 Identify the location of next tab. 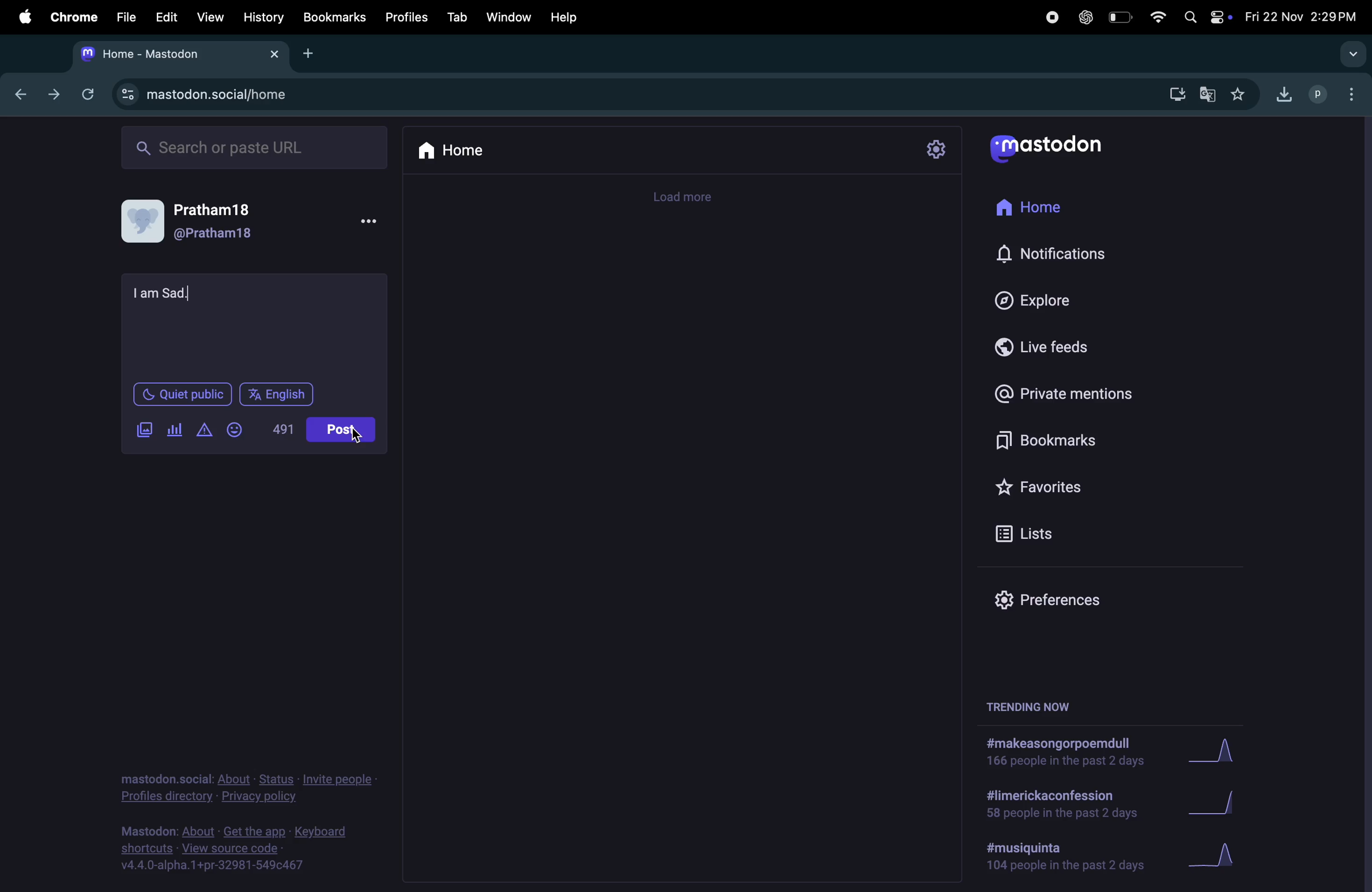
(51, 95).